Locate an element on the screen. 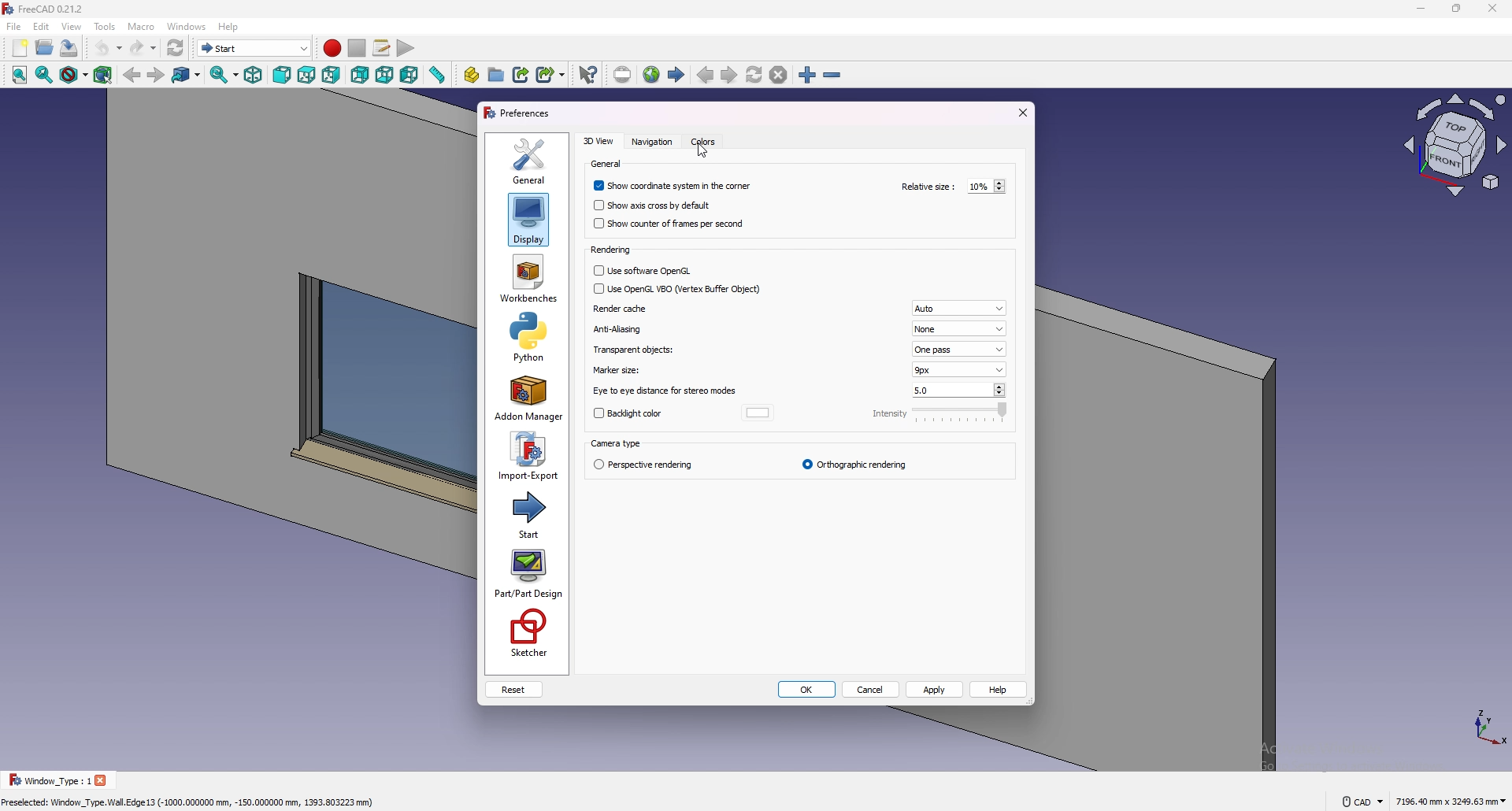 Image resolution: width=1512 pixels, height=811 pixels. refresh is located at coordinates (176, 48).